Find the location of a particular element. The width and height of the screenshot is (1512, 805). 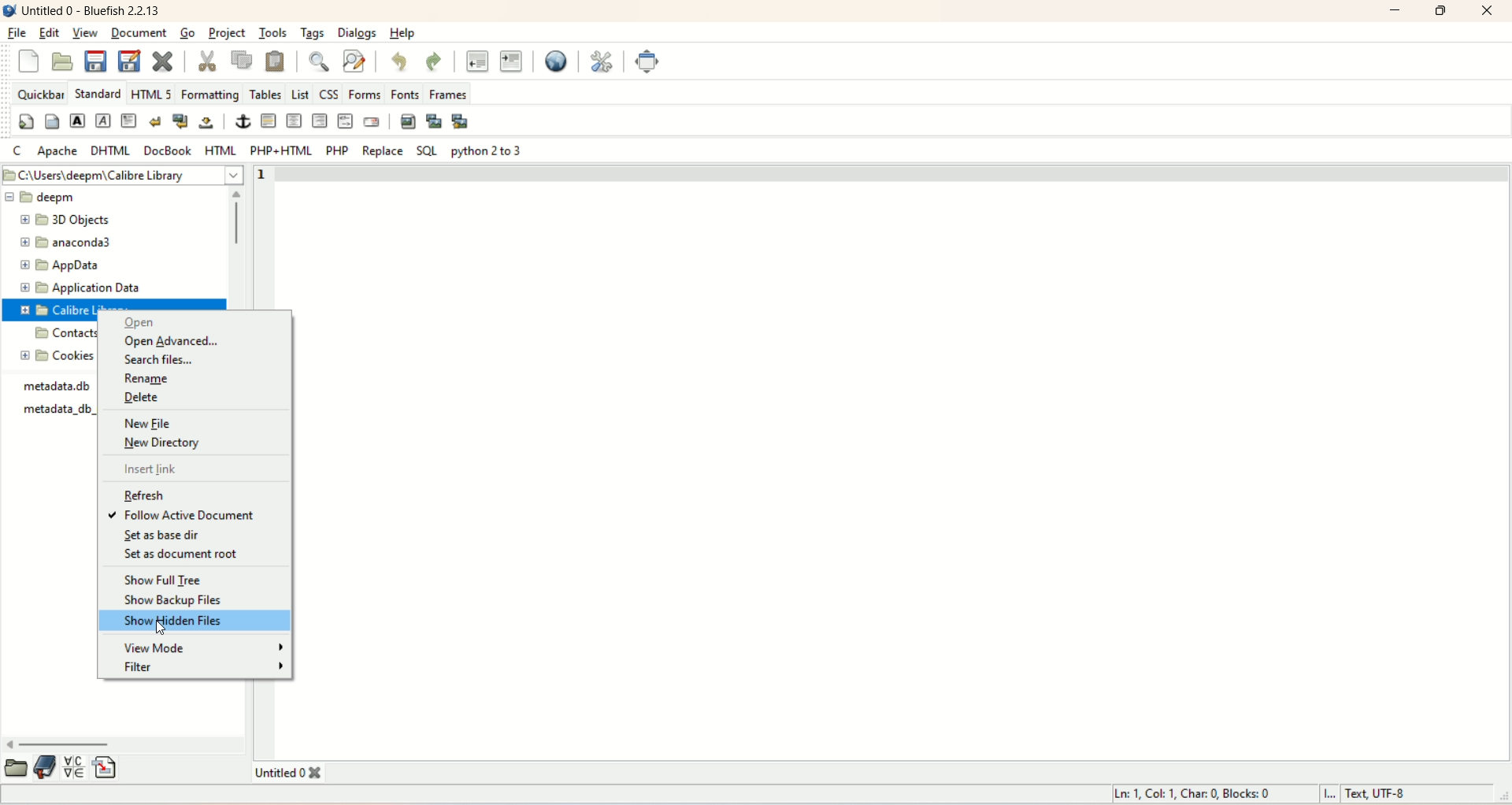

close is located at coordinates (1485, 13).